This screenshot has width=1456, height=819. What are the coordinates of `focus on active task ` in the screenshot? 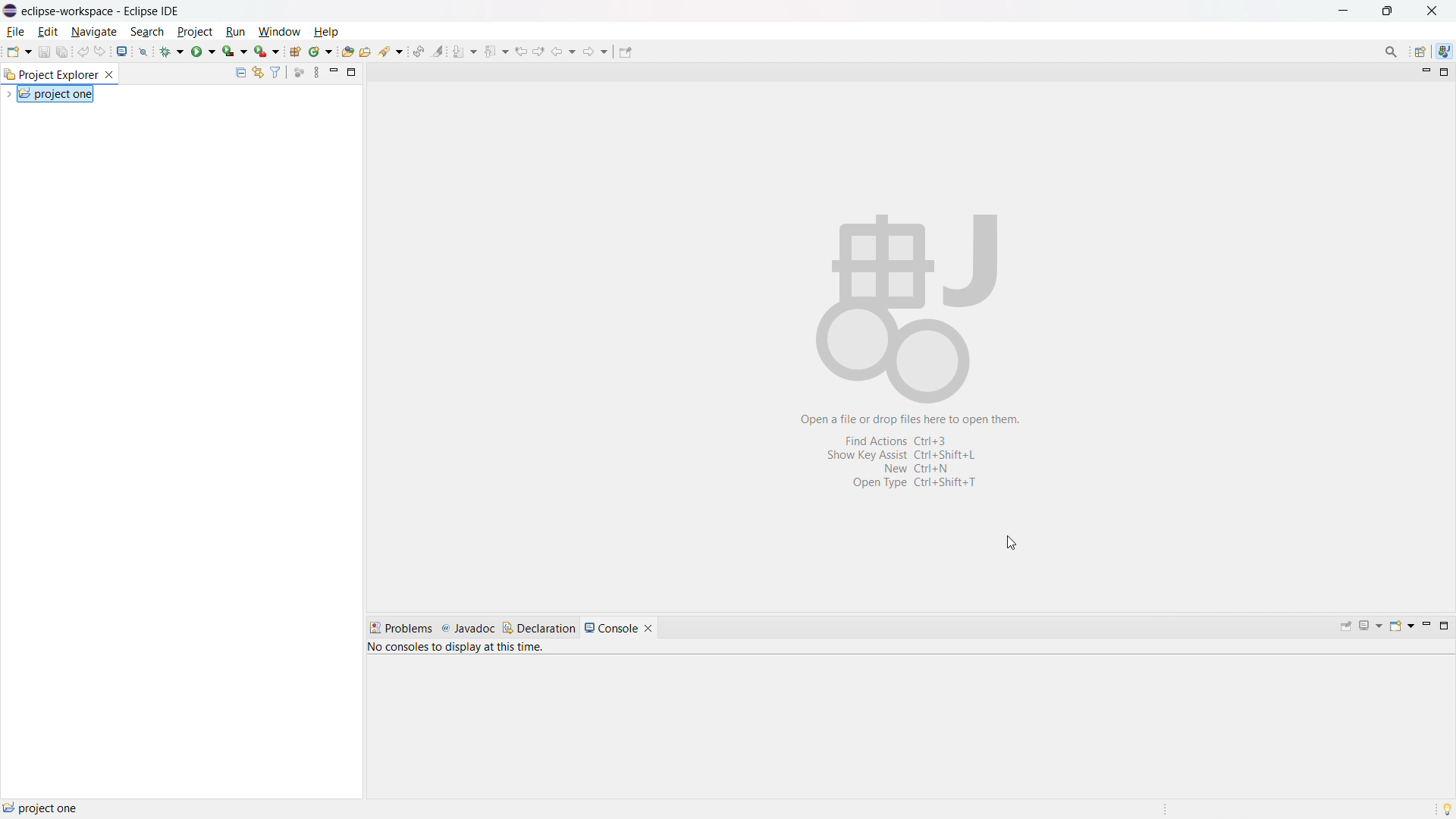 It's located at (300, 73).